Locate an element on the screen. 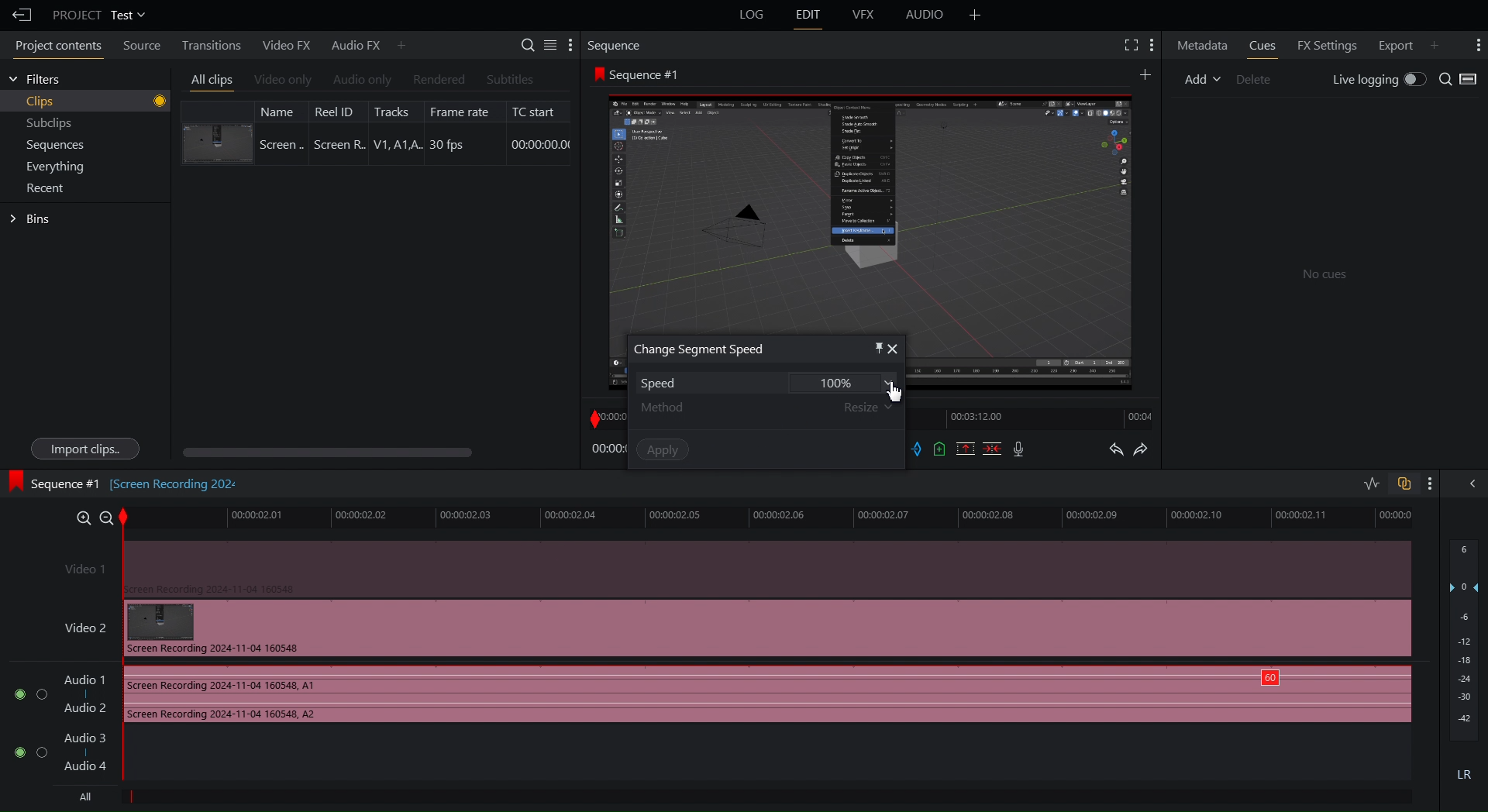 This screenshot has width=1488, height=812. Metadata is located at coordinates (1203, 44).